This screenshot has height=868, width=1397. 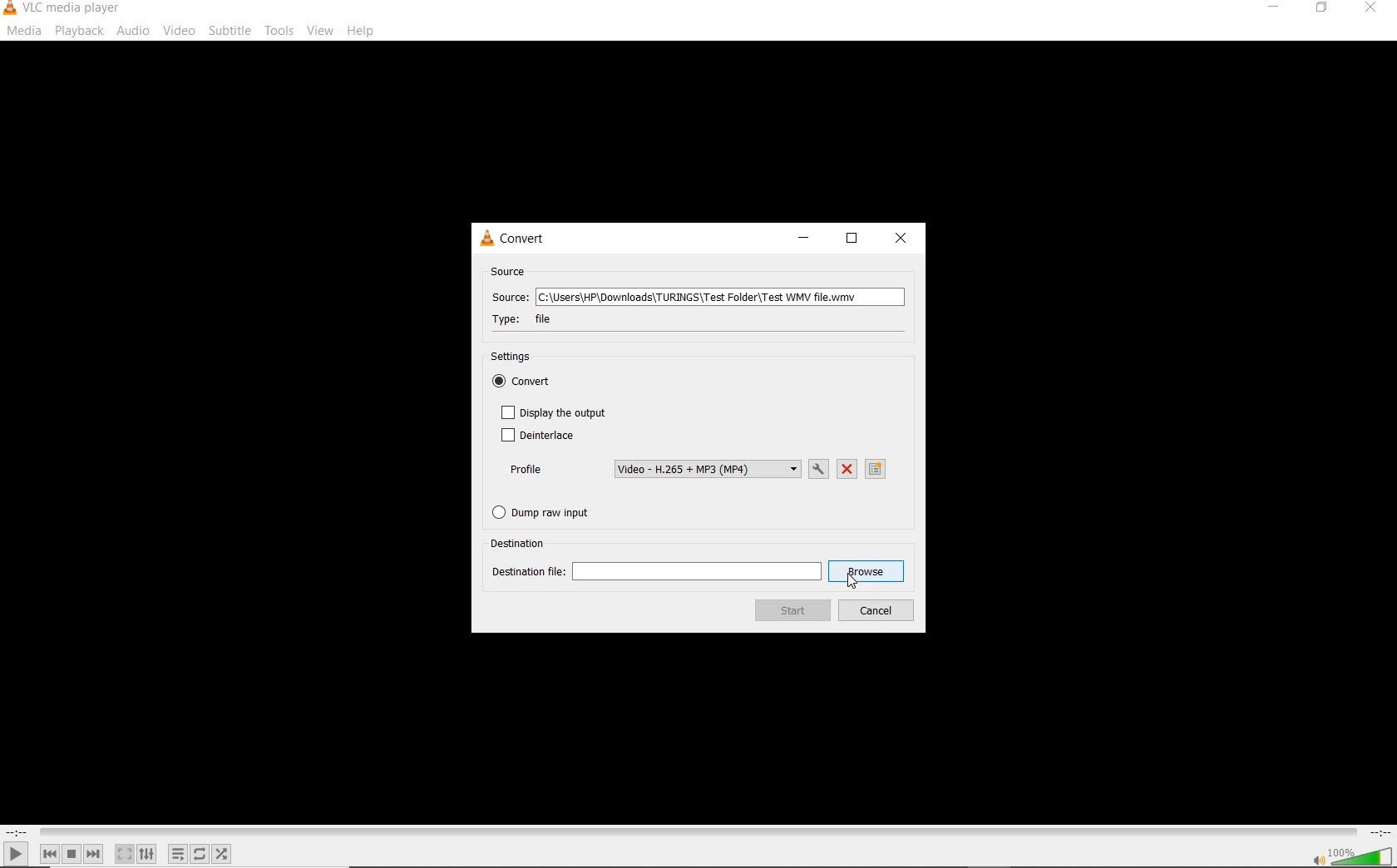 What do you see at coordinates (536, 319) in the screenshot?
I see `TYPE: FILE` at bounding box center [536, 319].